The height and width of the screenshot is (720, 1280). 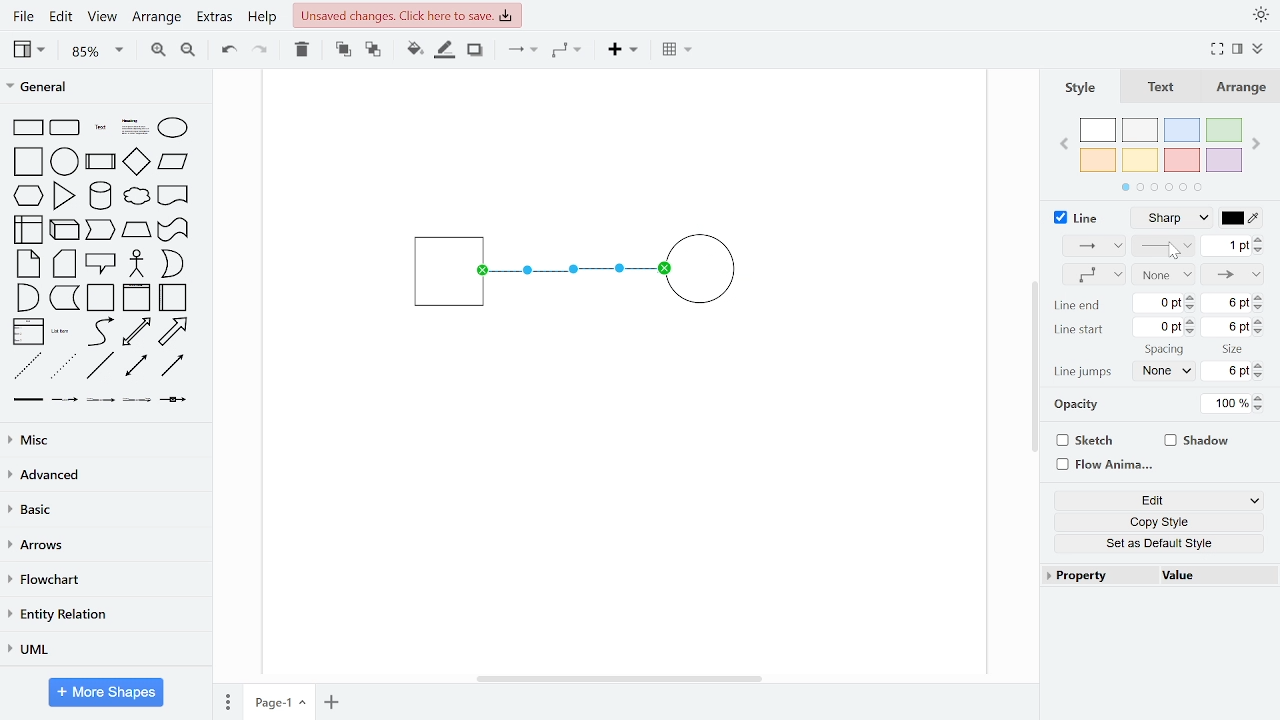 What do you see at coordinates (139, 401) in the screenshot?
I see `connector with 3 labels` at bounding box center [139, 401].